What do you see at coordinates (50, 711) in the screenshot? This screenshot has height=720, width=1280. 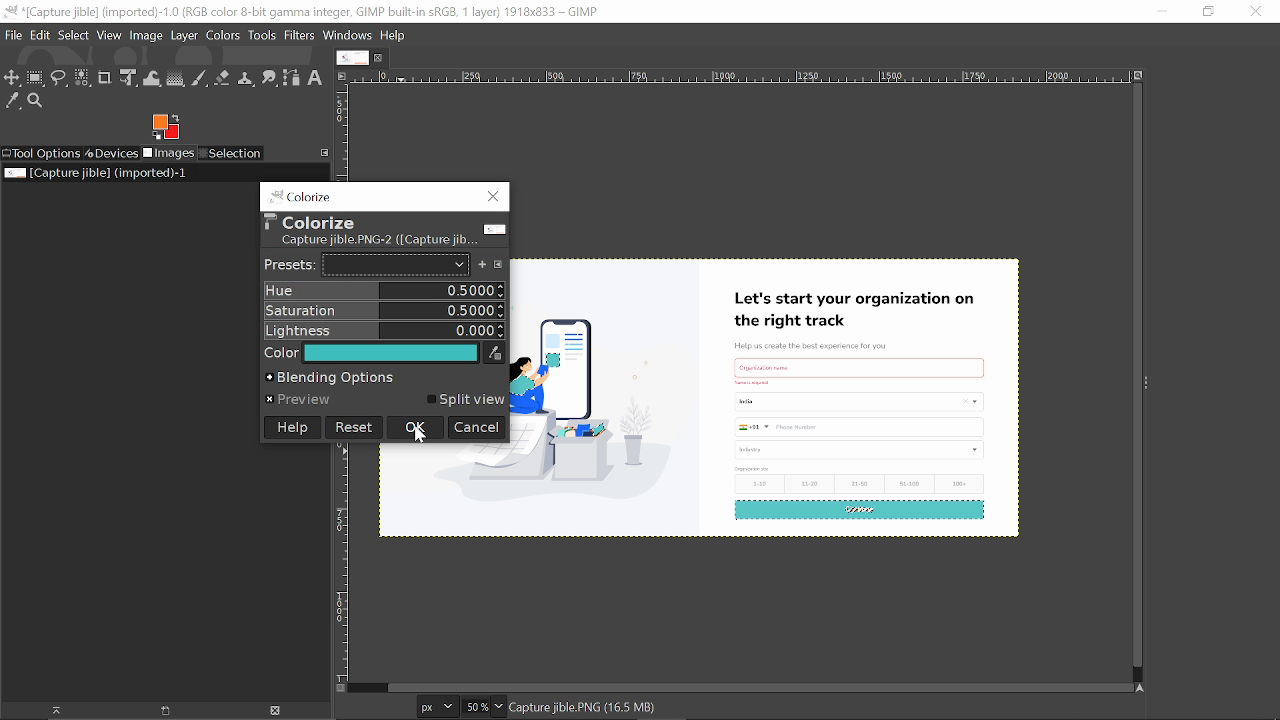 I see `Raise image for this display` at bounding box center [50, 711].